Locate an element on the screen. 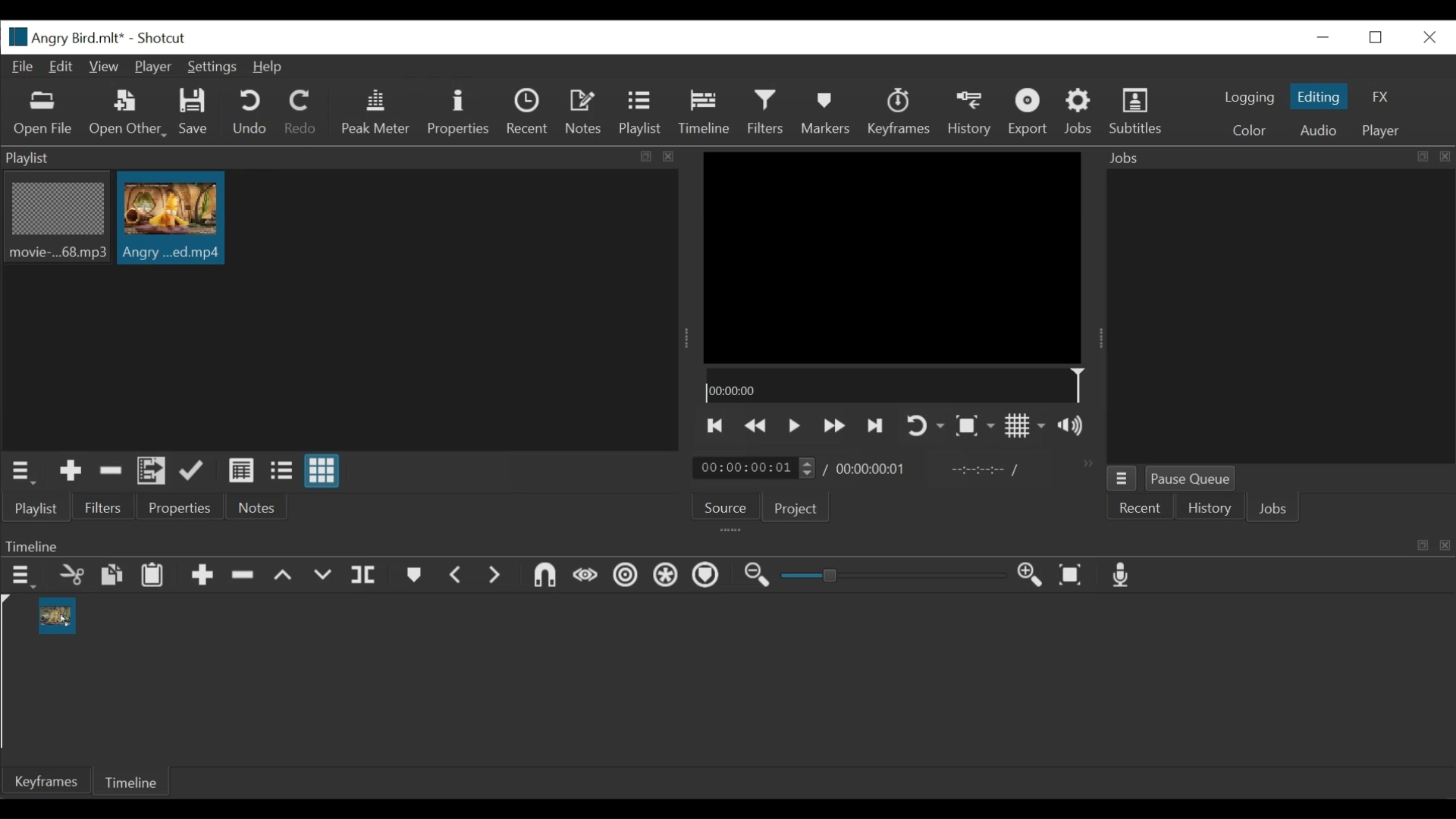 The width and height of the screenshot is (1456, 819). Playlist is located at coordinates (37, 509).